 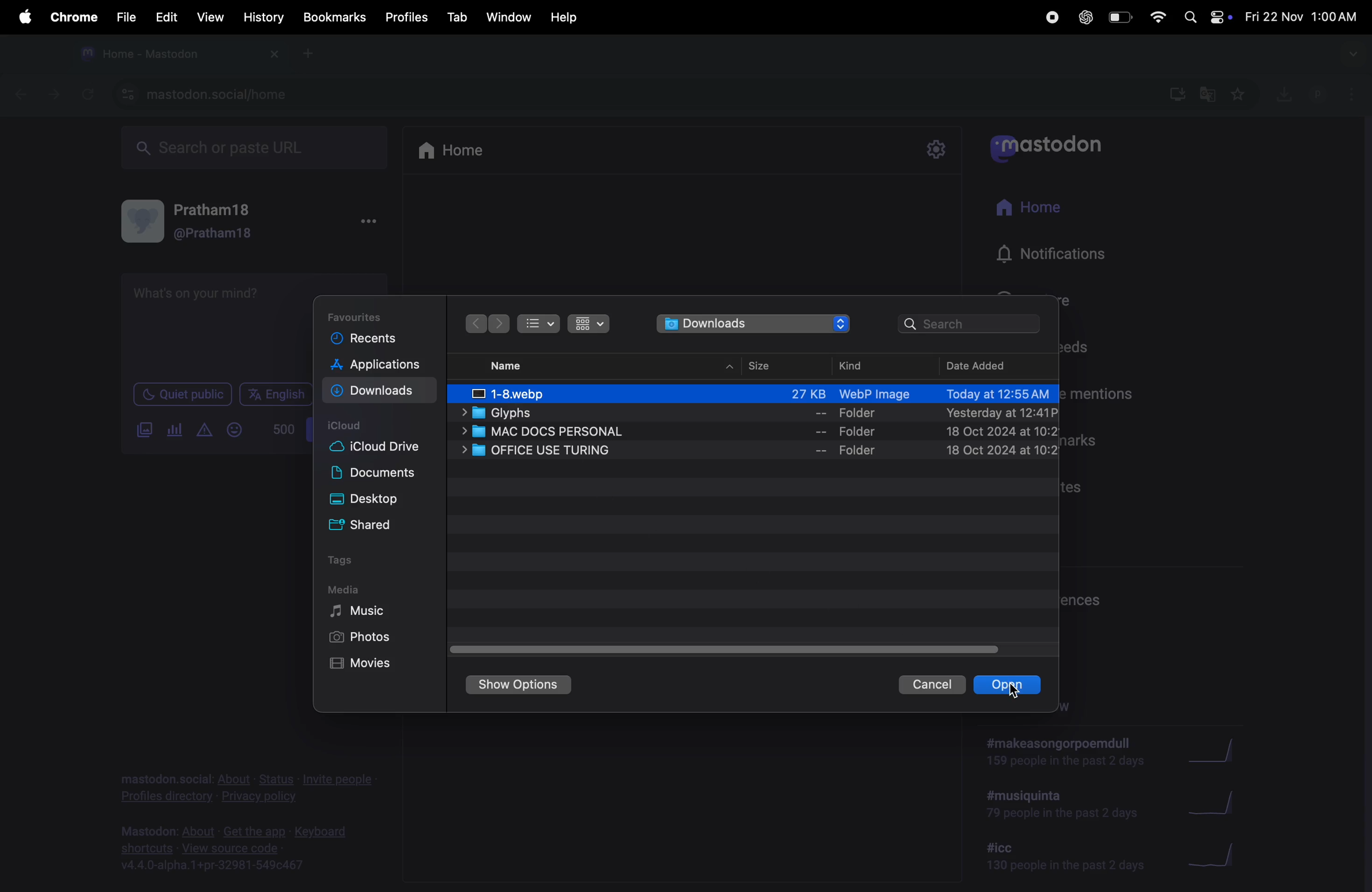 I want to click on graphs, so click(x=1217, y=752).